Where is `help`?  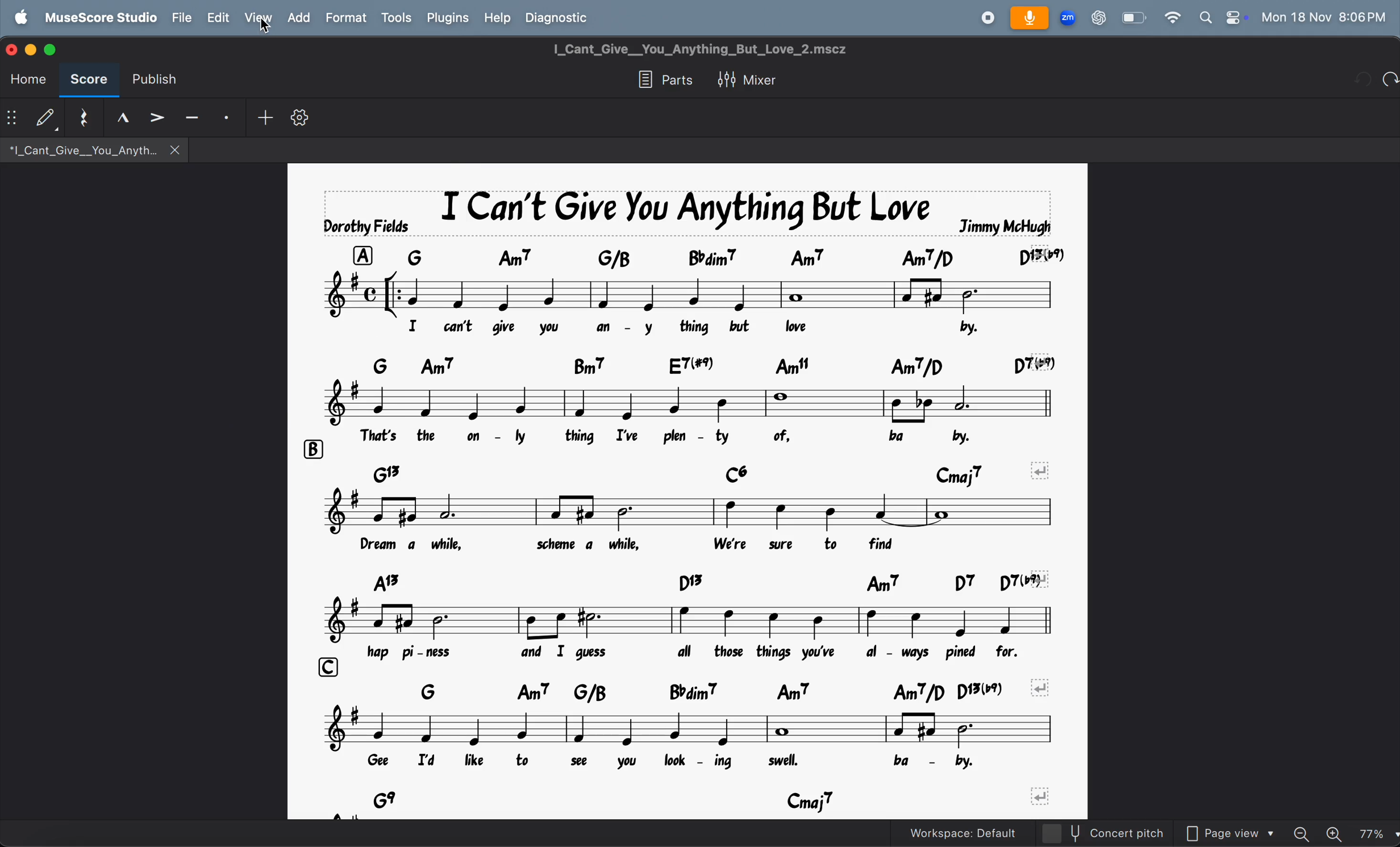
help is located at coordinates (499, 19).